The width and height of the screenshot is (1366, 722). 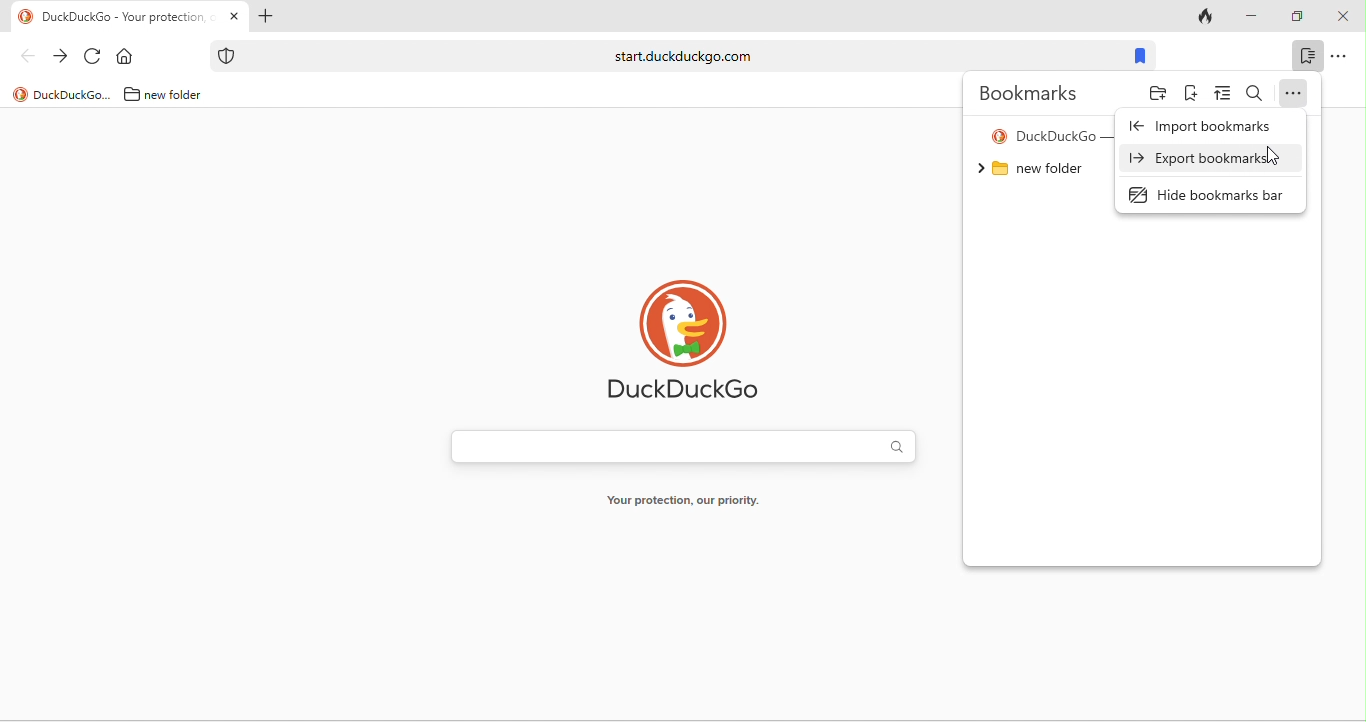 I want to click on forward, so click(x=59, y=56).